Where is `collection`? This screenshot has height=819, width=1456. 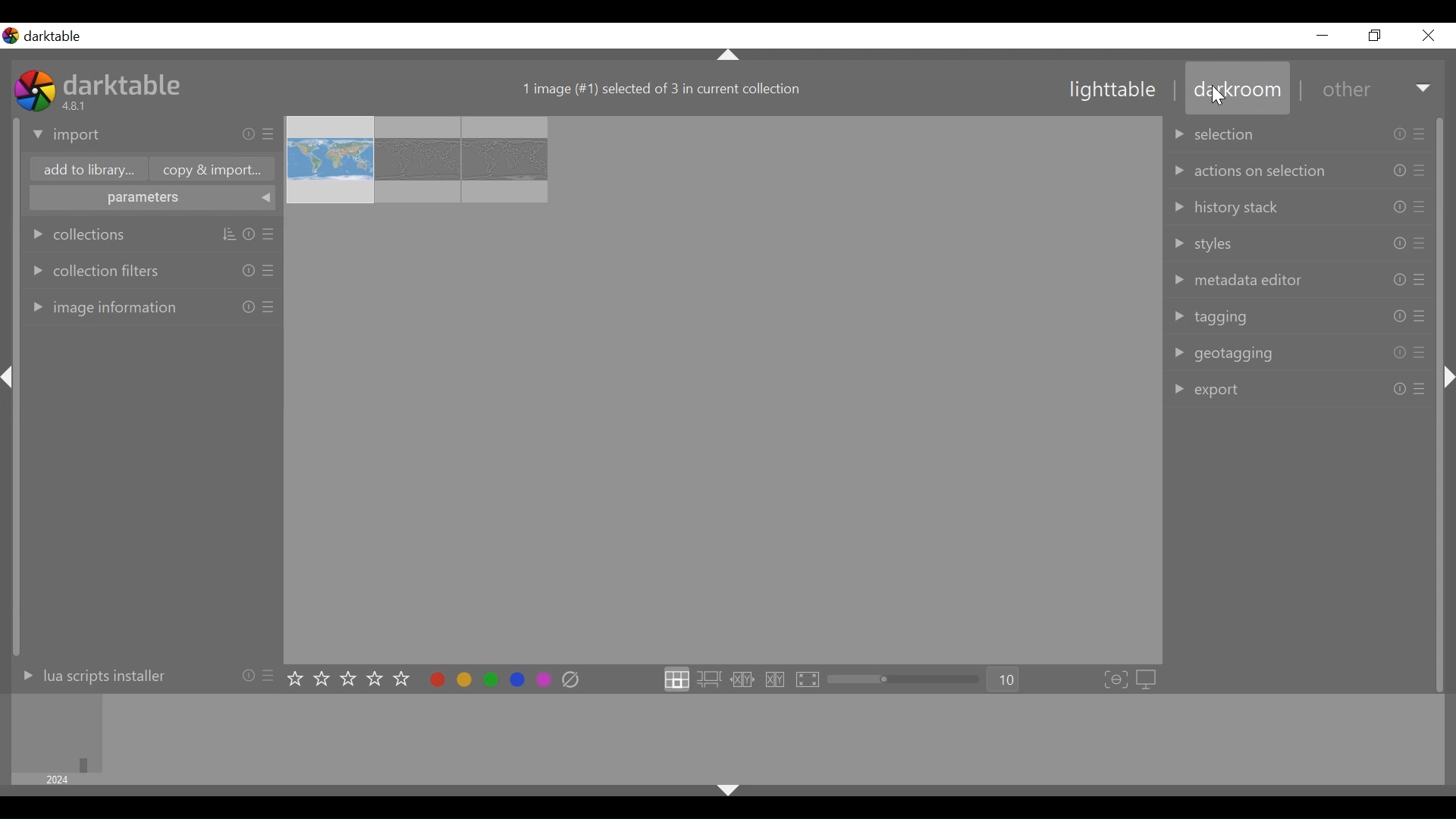
collection is located at coordinates (1300, 132).